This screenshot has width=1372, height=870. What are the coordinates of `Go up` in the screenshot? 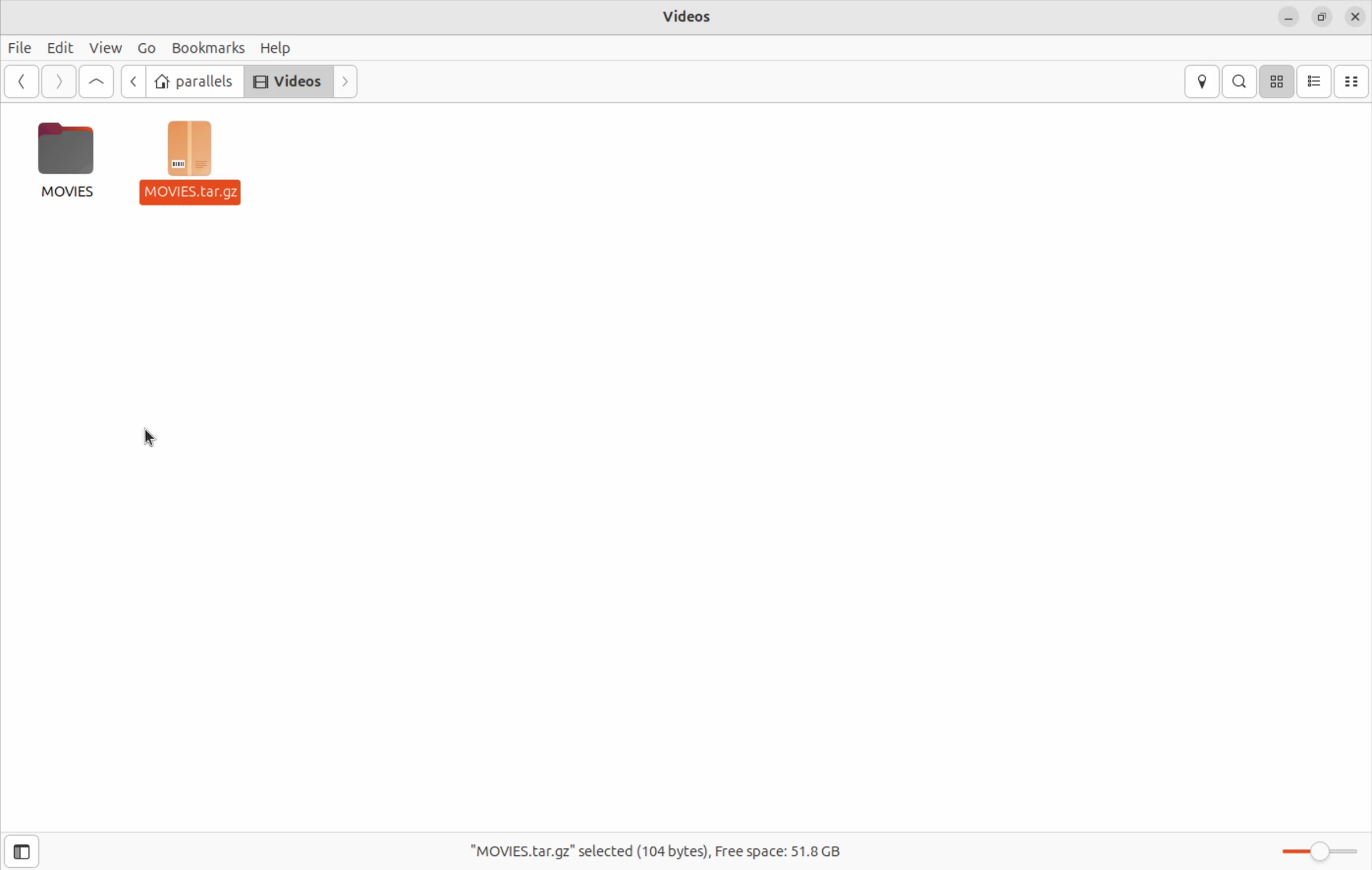 It's located at (97, 80).